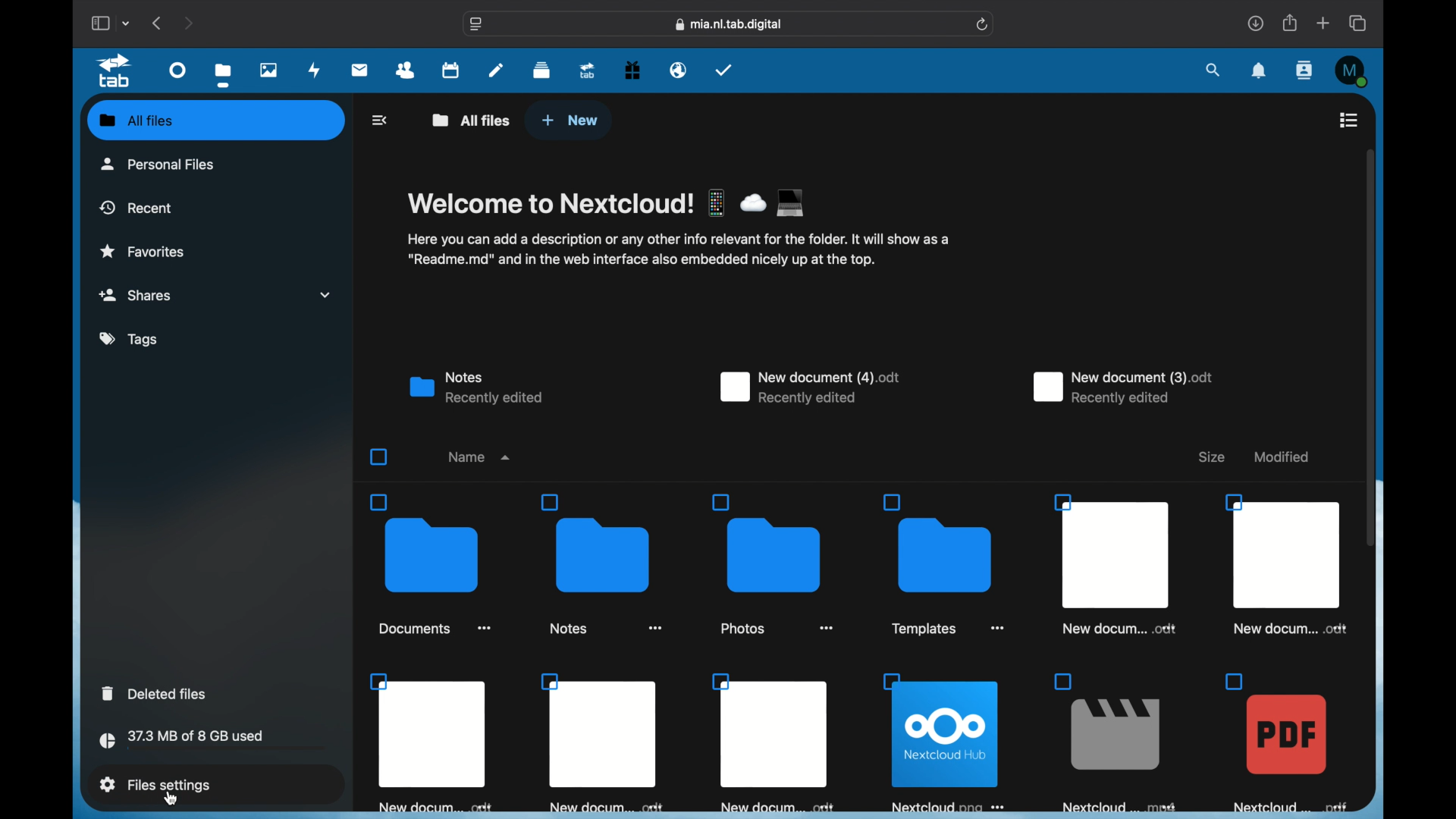 The image size is (1456, 819). I want to click on files settings, so click(155, 783).